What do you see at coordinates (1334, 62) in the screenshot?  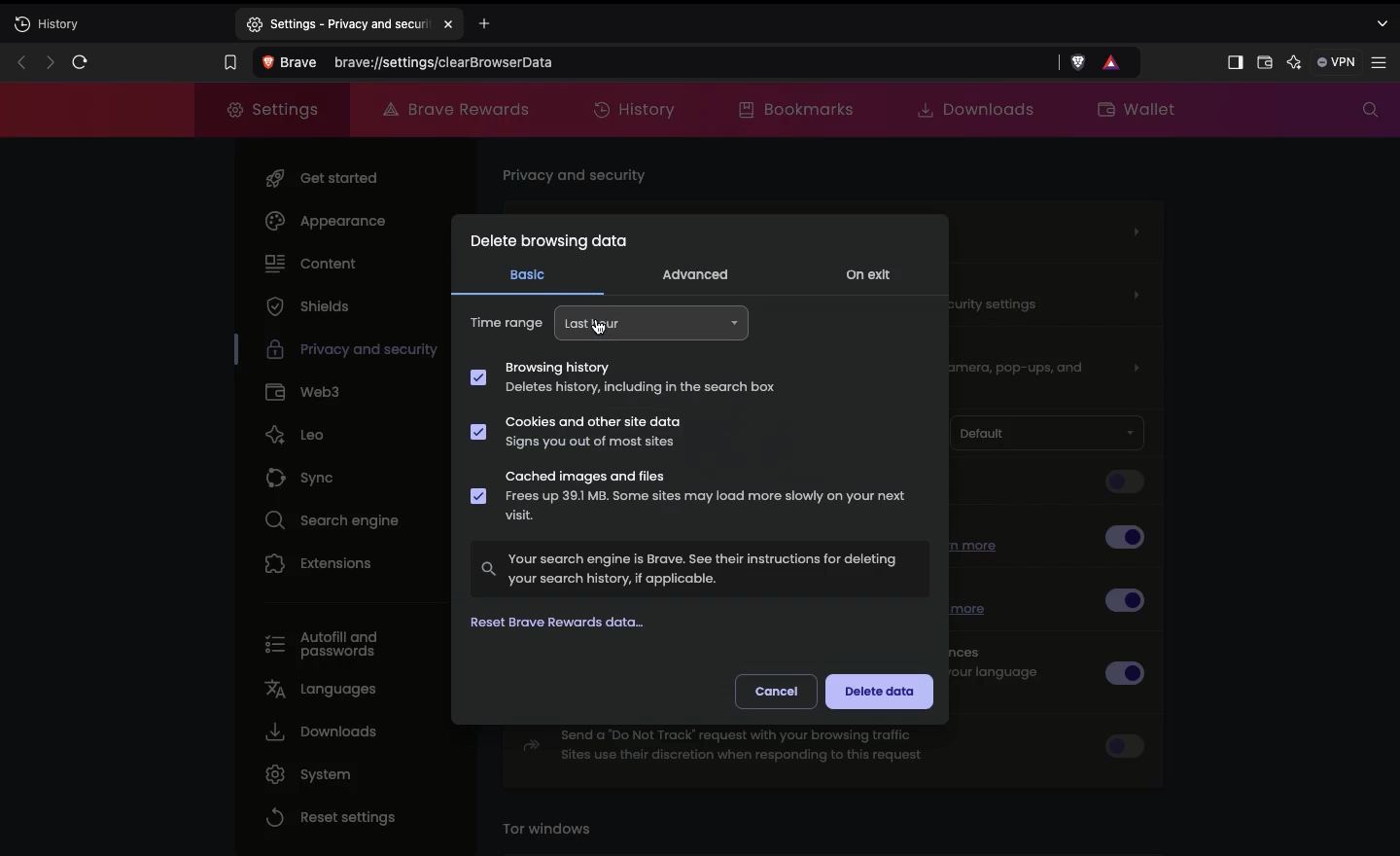 I see `VPN` at bounding box center [1334, 62].